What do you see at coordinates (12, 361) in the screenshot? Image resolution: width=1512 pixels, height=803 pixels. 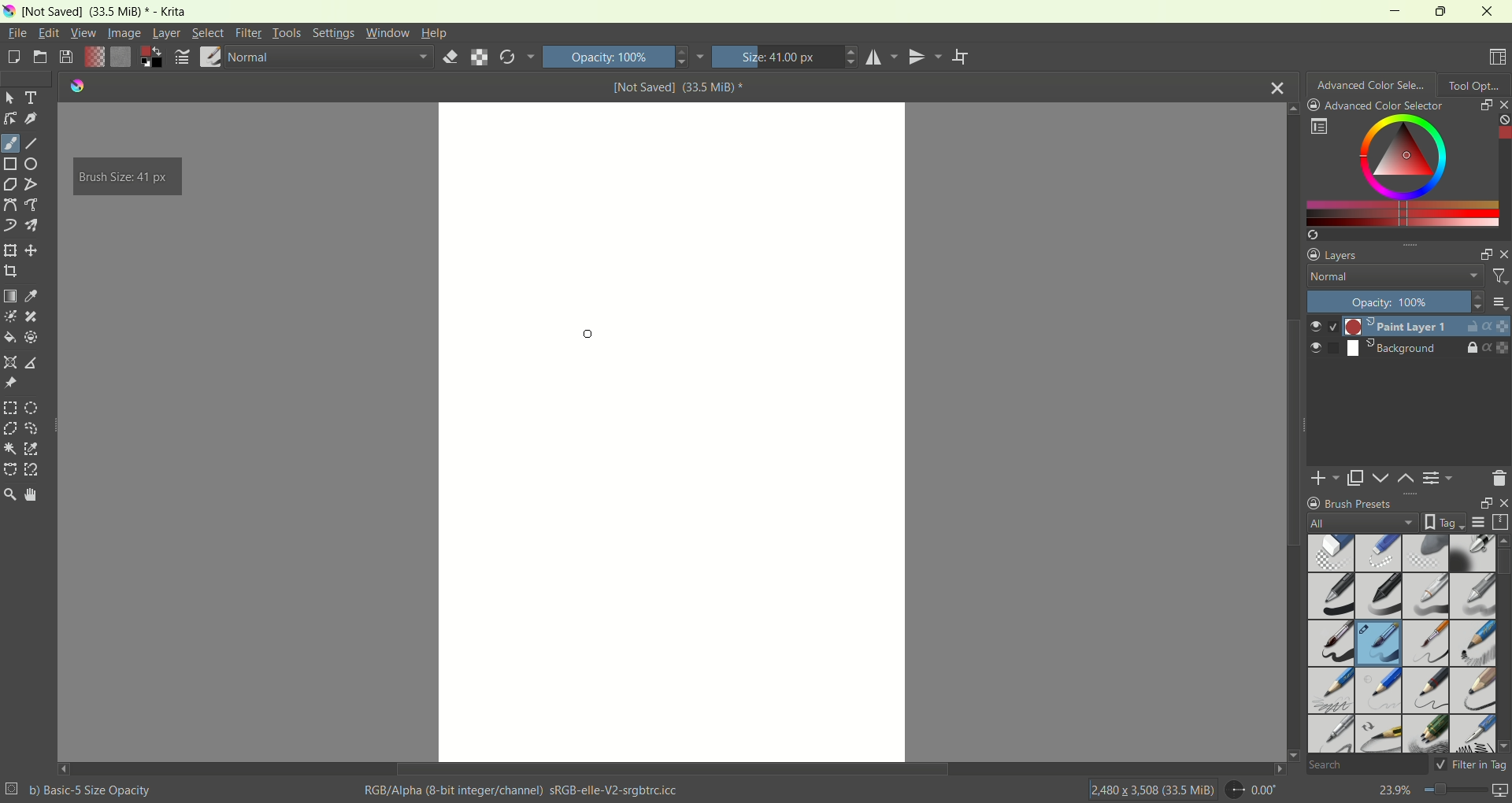 I see `assistant tool` at bounding box center [12, 361].